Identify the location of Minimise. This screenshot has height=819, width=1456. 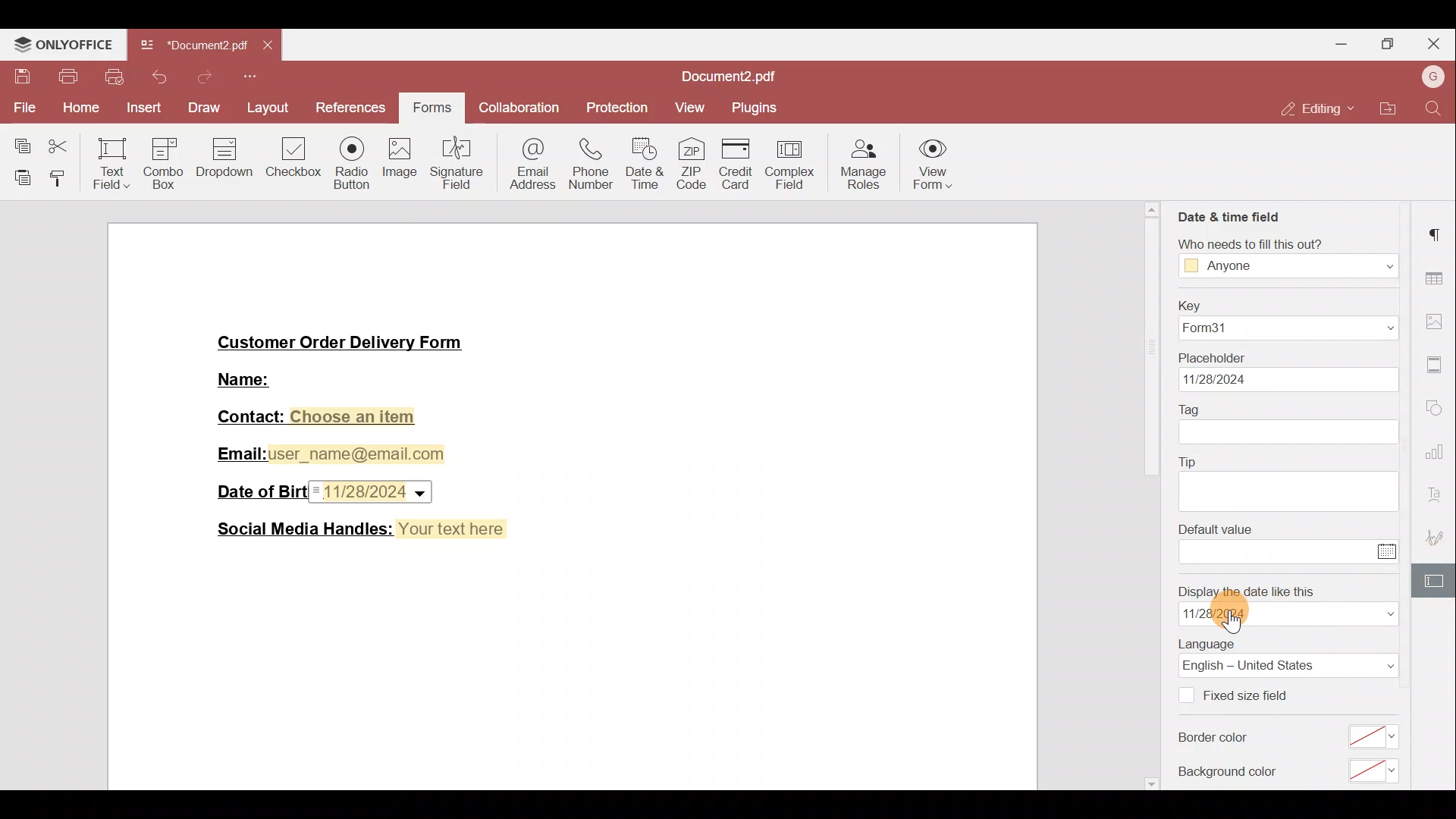
(1341, 46).